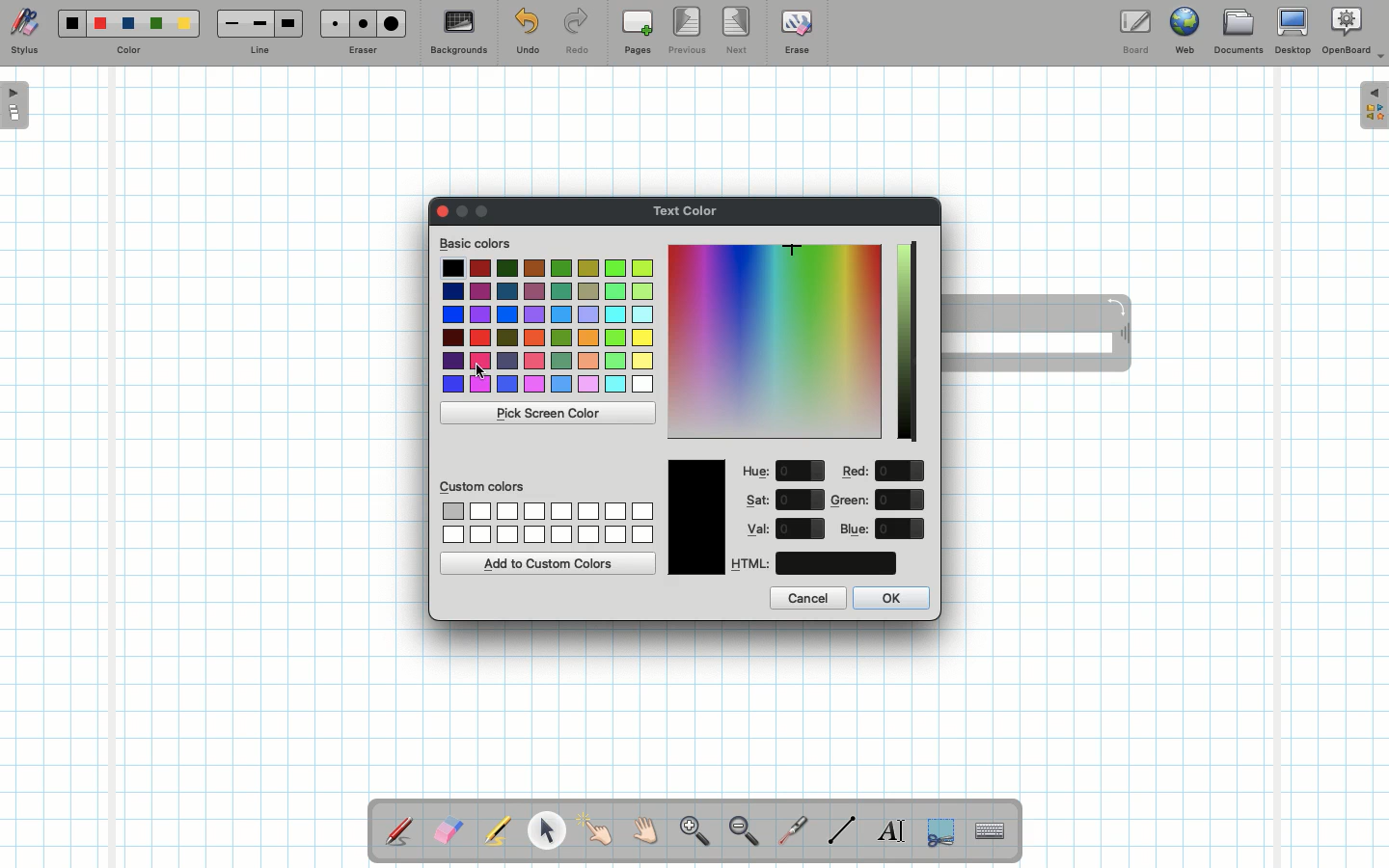 Image resolution: width=1389 pixels, height=868 pixels. I want to click on Eraser, so click(448, 832).